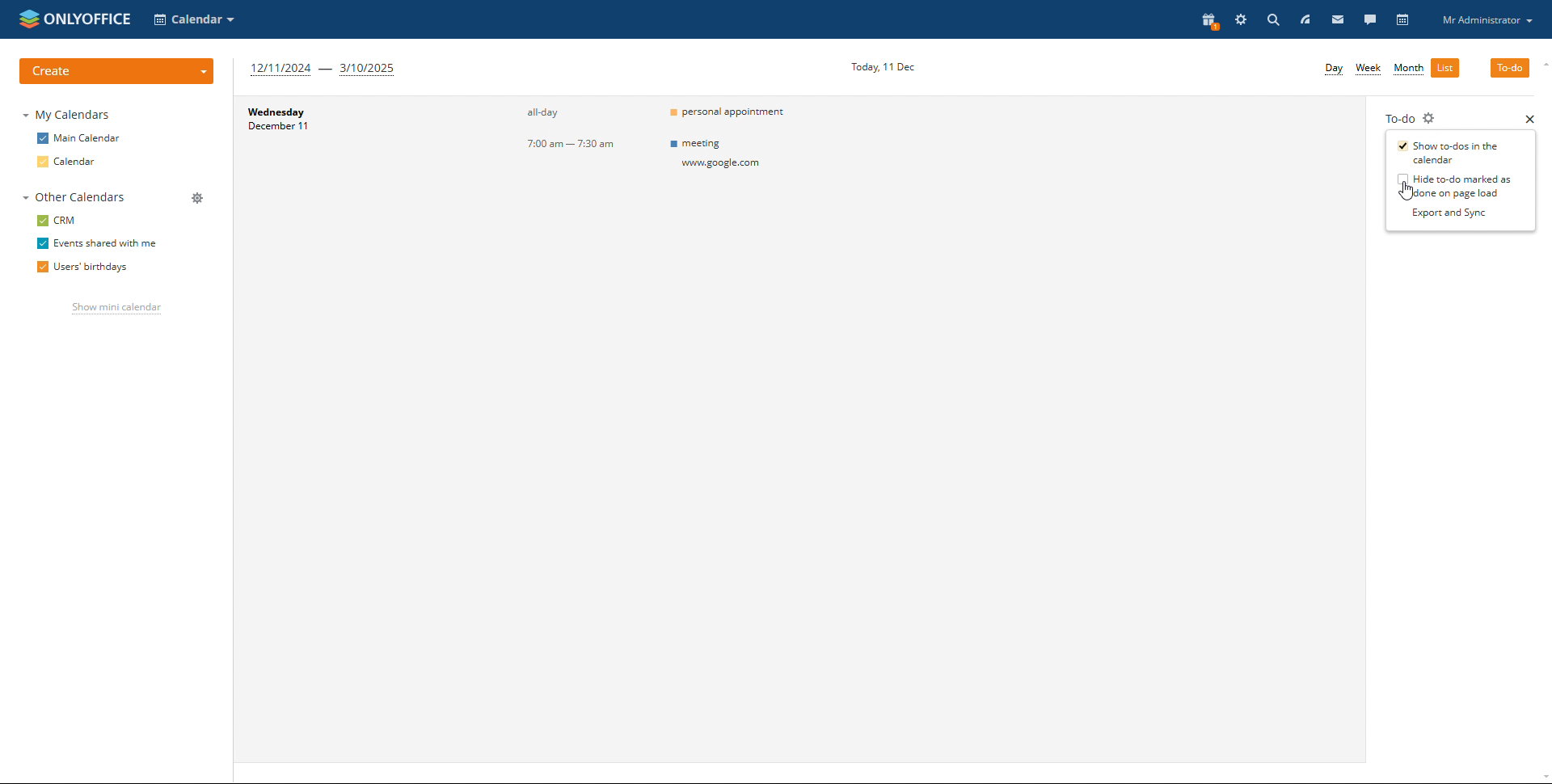  What do you see at coordinates (1487, 19) in the screenshot?
I see `profile` at bounding box center [1487, 19].